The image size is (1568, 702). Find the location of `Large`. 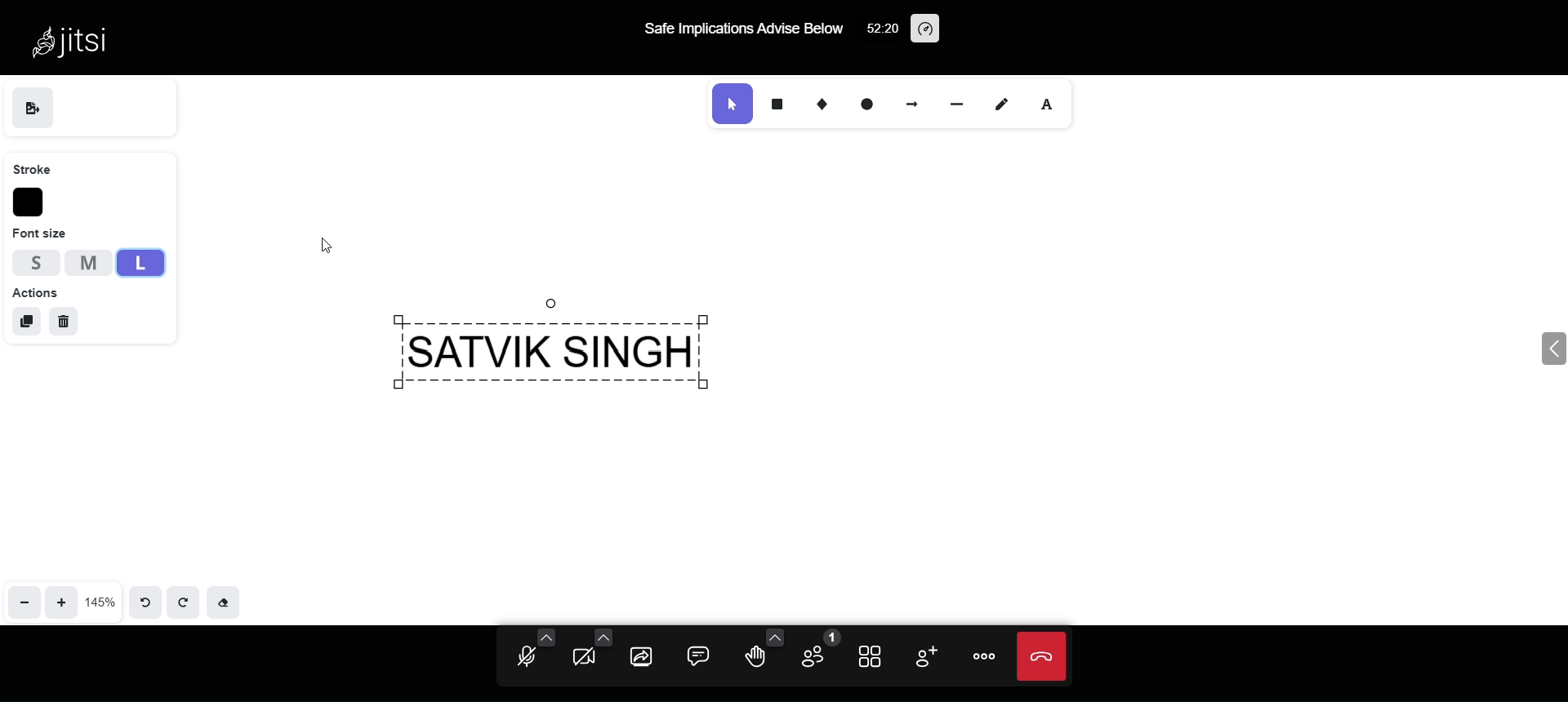

Large is located at coordinates (138, 264).